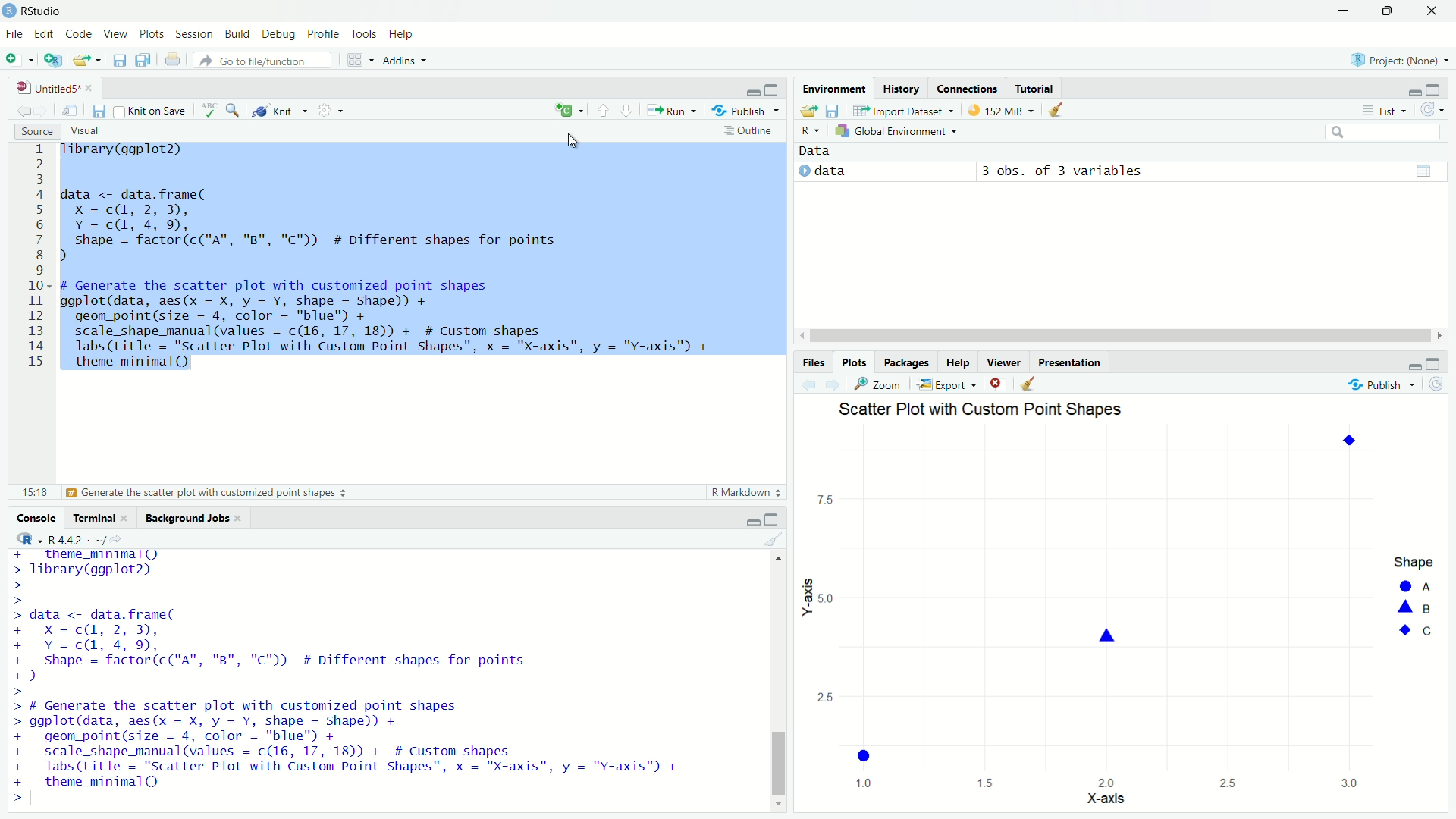 This screenshot has width=1456, height=819. Describe the element at coordinates (774, 539) in the screenshot. I see `Clear console` at that location.